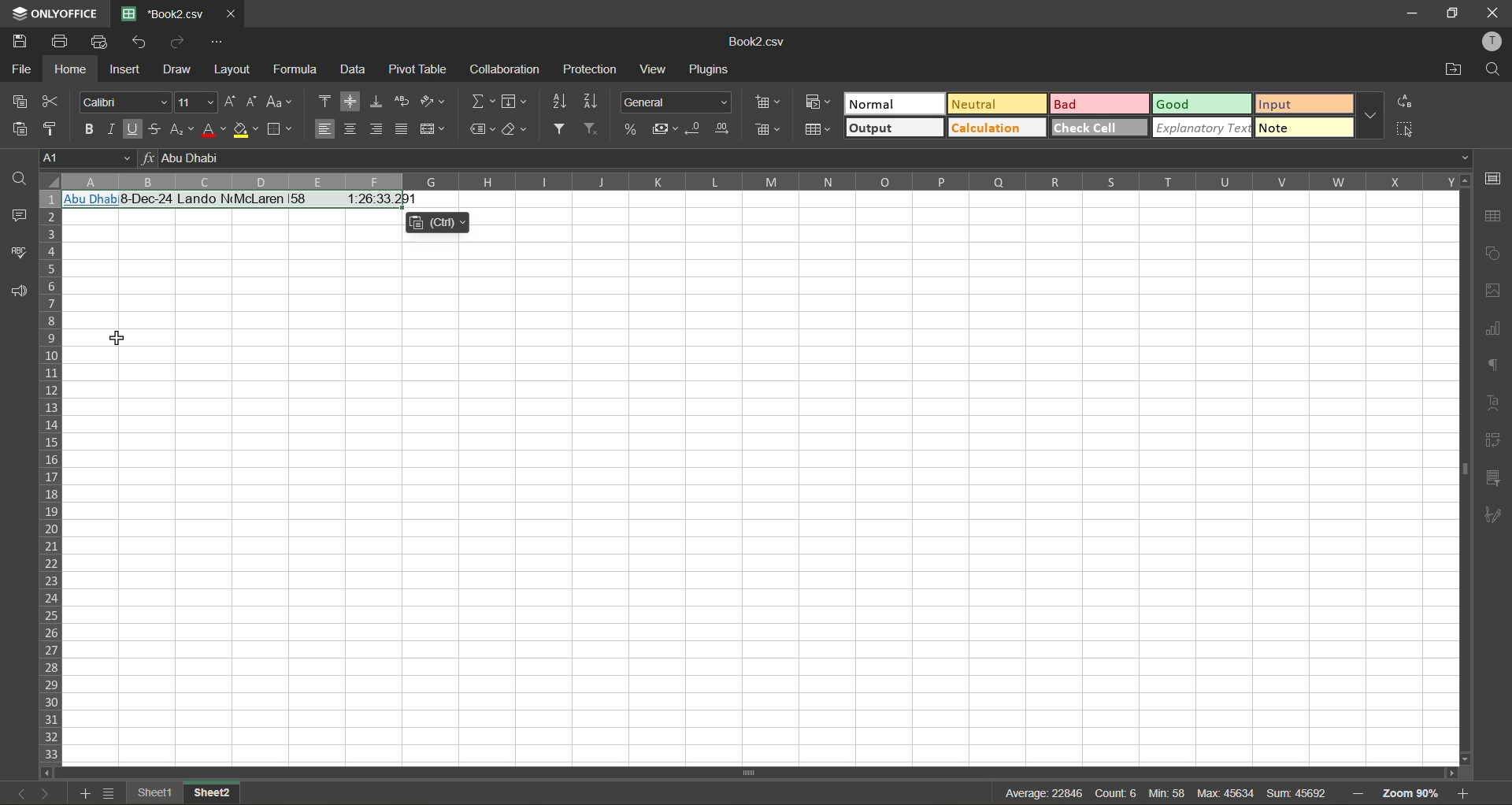 This screenshot has width=1512, height=805. Describe the element at coordinates (377, 101) in the screenshot. I see `align bottom` at that location.